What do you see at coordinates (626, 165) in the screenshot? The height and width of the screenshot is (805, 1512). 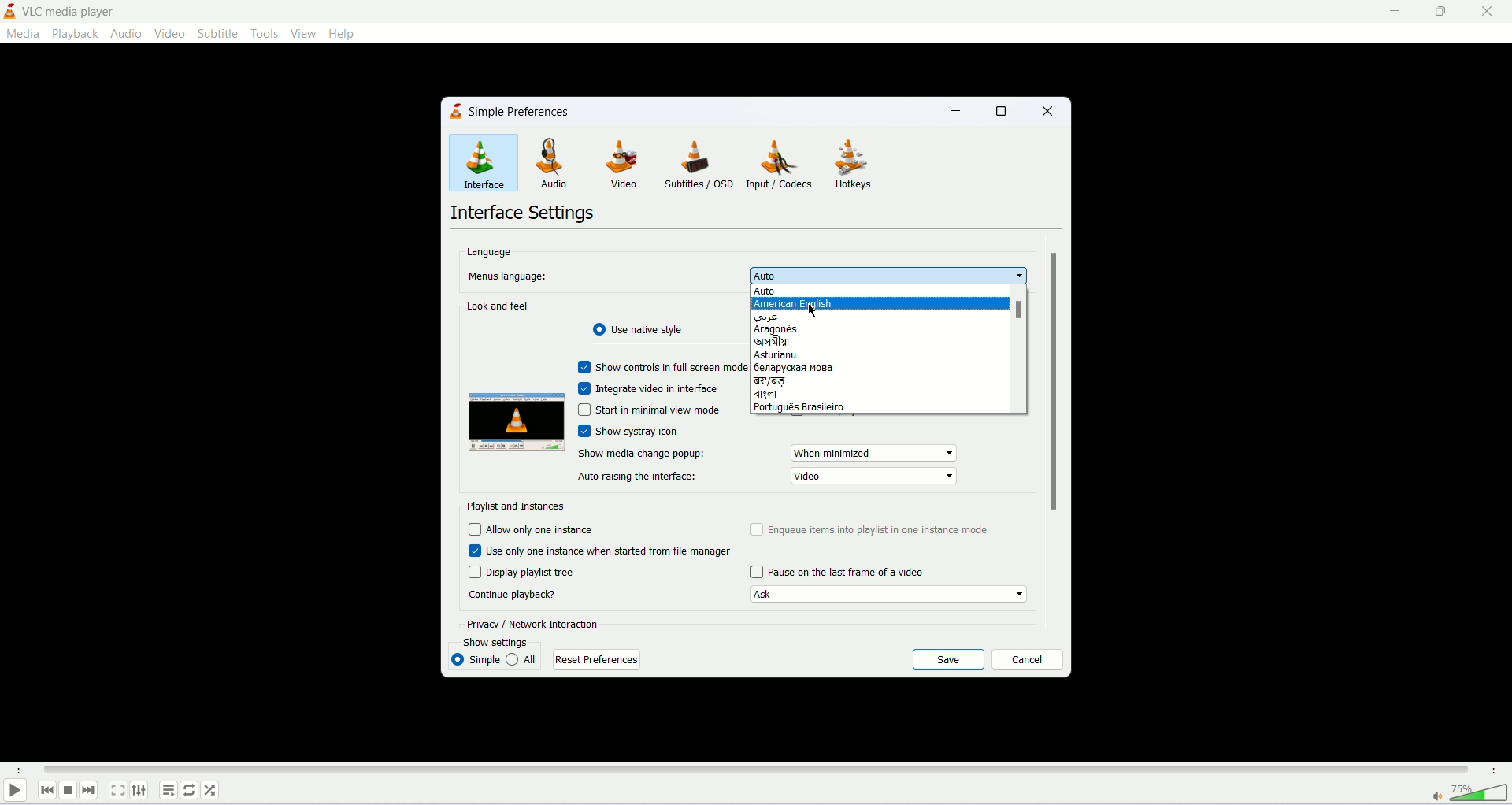 I see `video` at bounding box center [626, 165].